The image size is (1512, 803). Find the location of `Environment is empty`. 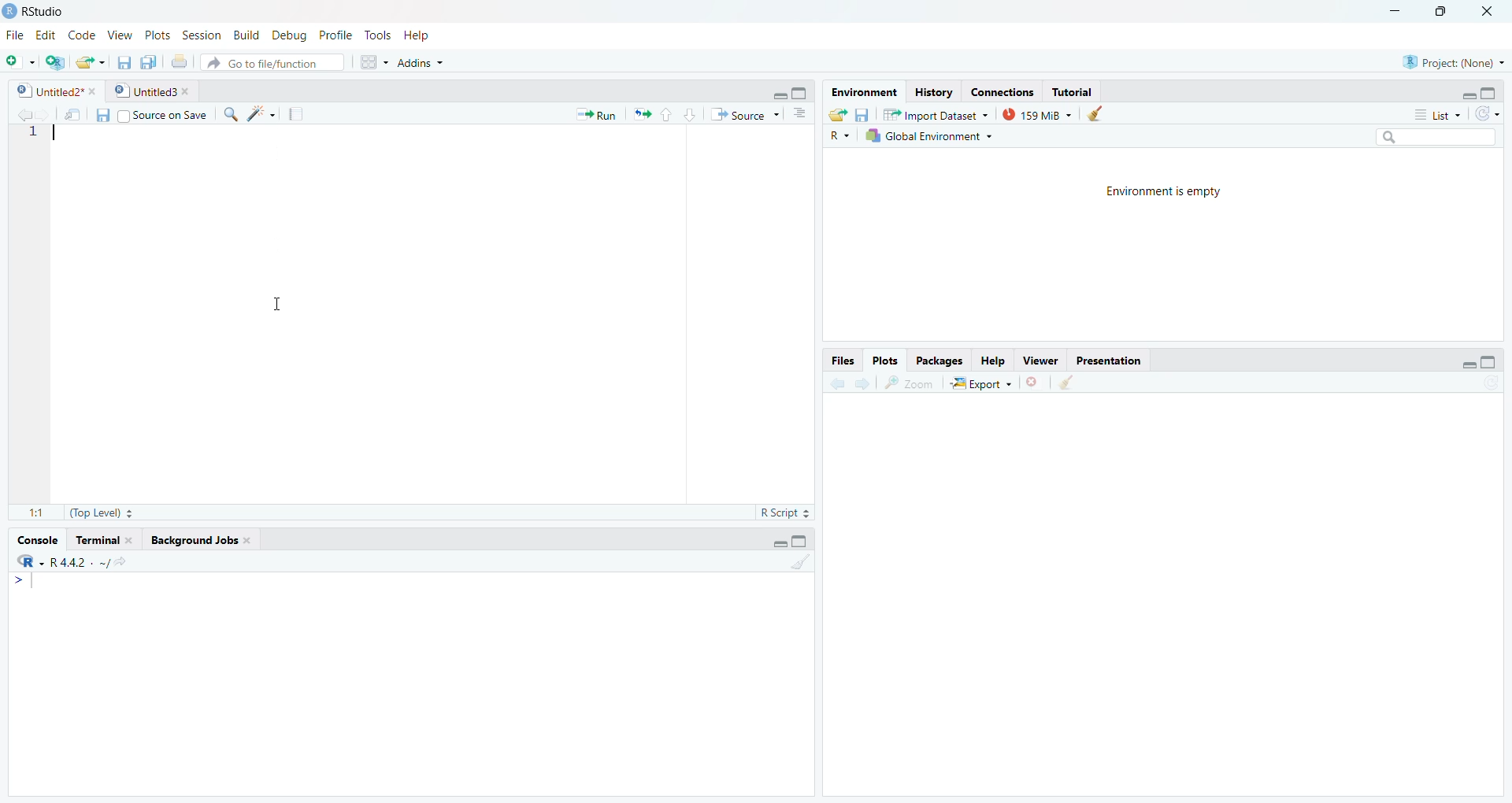

Environment is empty is located at coordinates (1164, 190).